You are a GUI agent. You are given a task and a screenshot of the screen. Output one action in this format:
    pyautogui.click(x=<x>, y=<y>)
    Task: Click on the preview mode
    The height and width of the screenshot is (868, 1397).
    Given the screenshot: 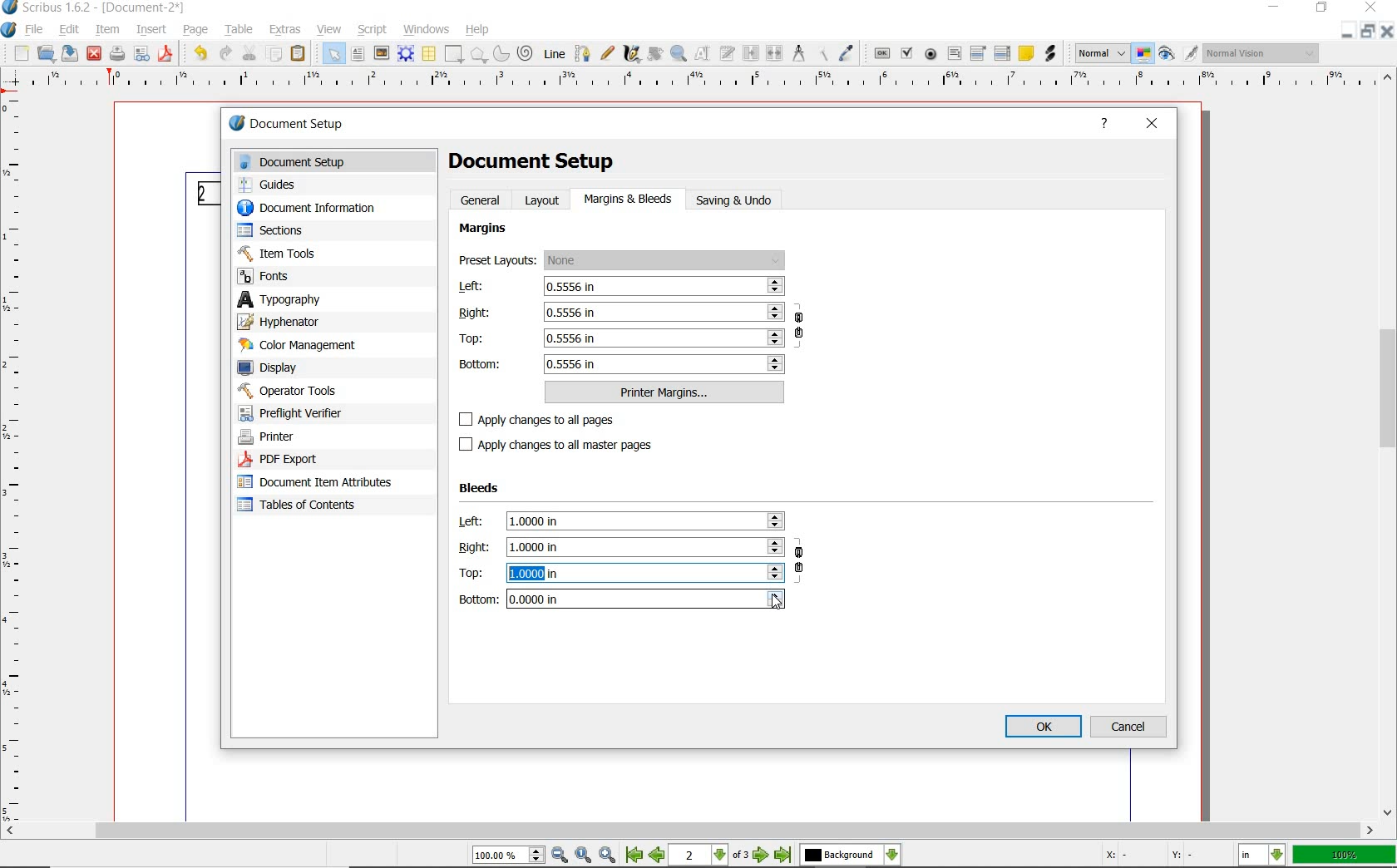 What is the action you would take?
    pyautogui.click(x=1167, y=55)
    